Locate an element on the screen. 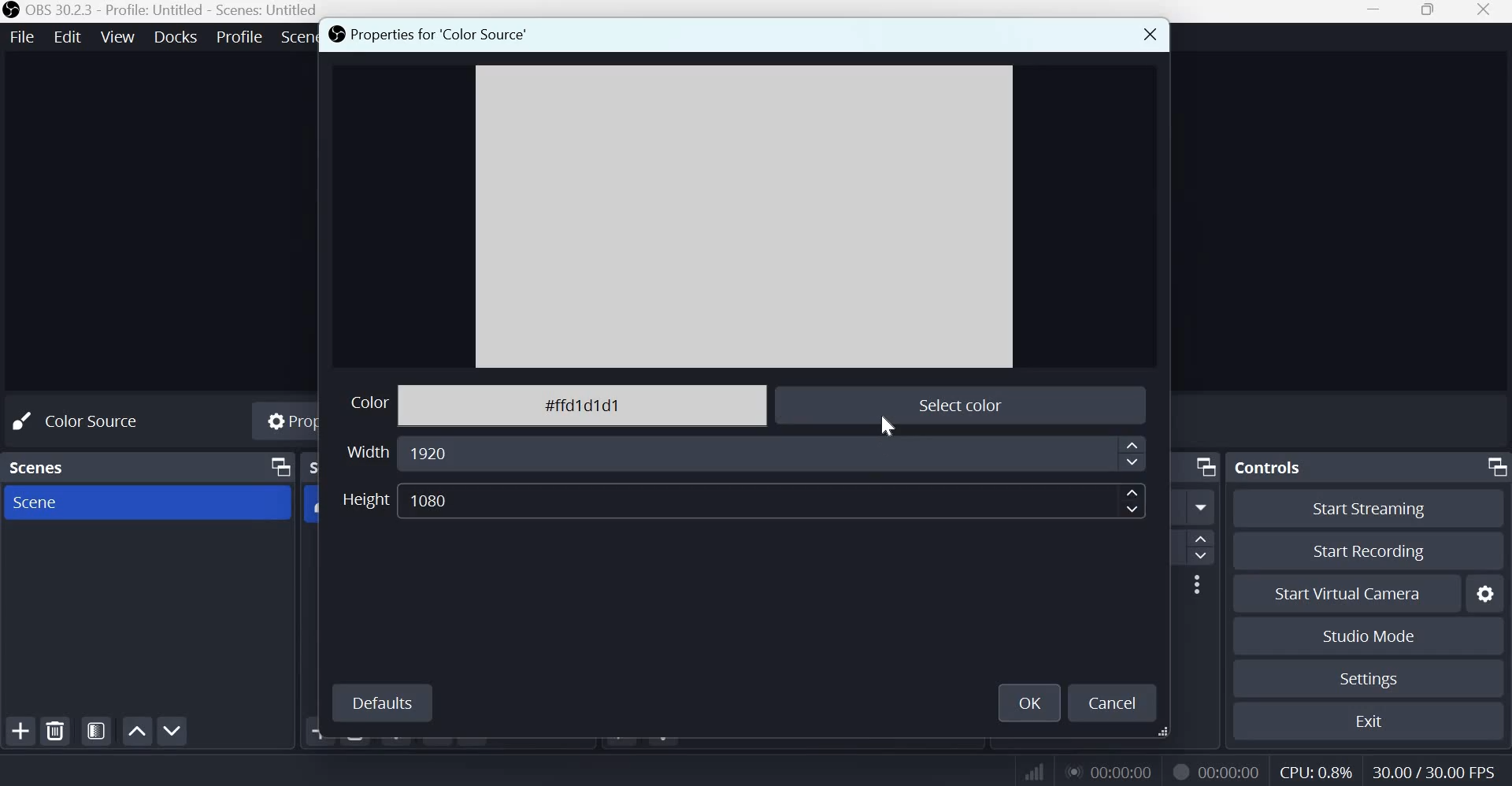  Edit is located at coordinates (69, 35).